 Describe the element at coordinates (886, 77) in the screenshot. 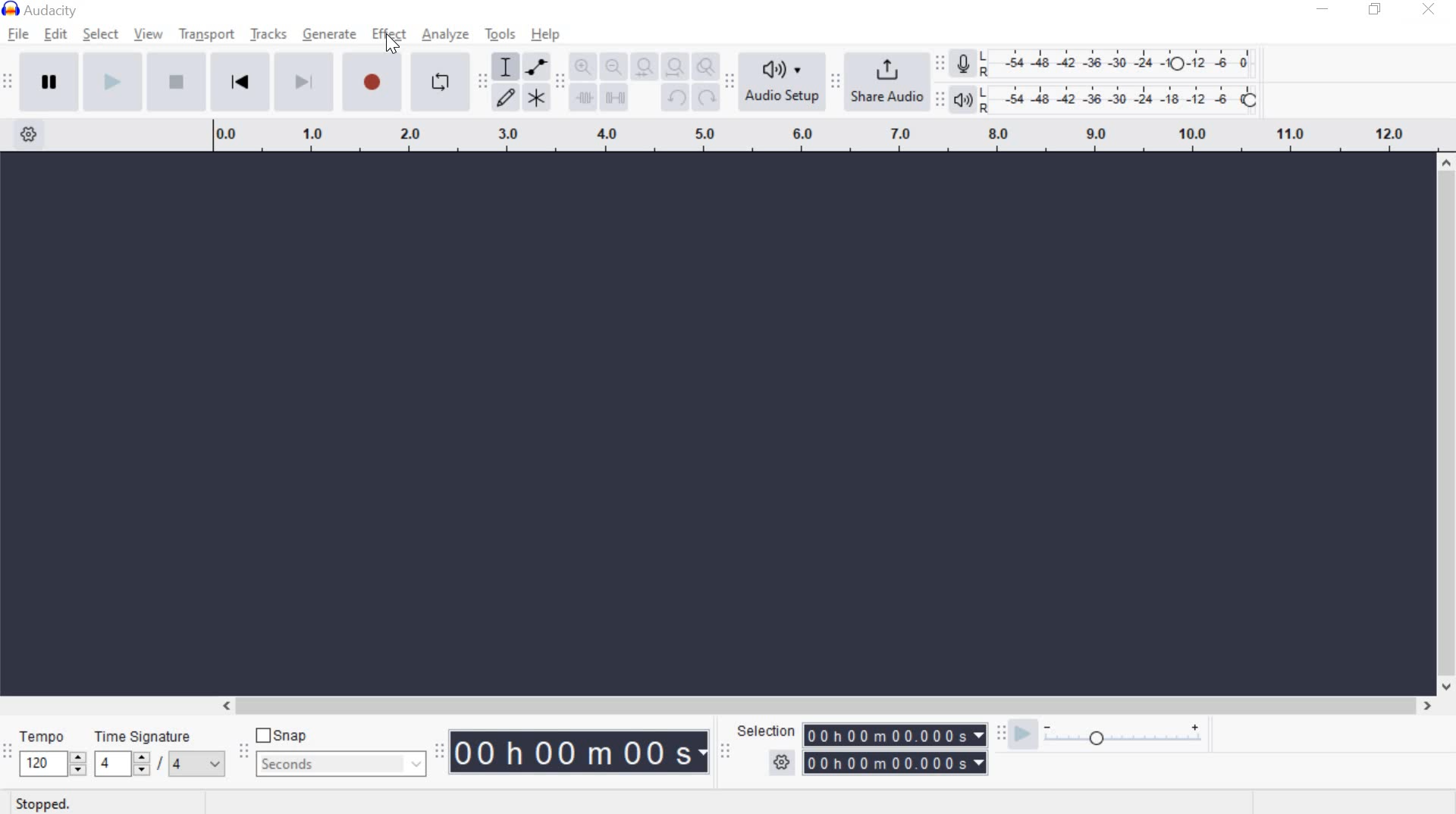

I see `share audio` at that location.